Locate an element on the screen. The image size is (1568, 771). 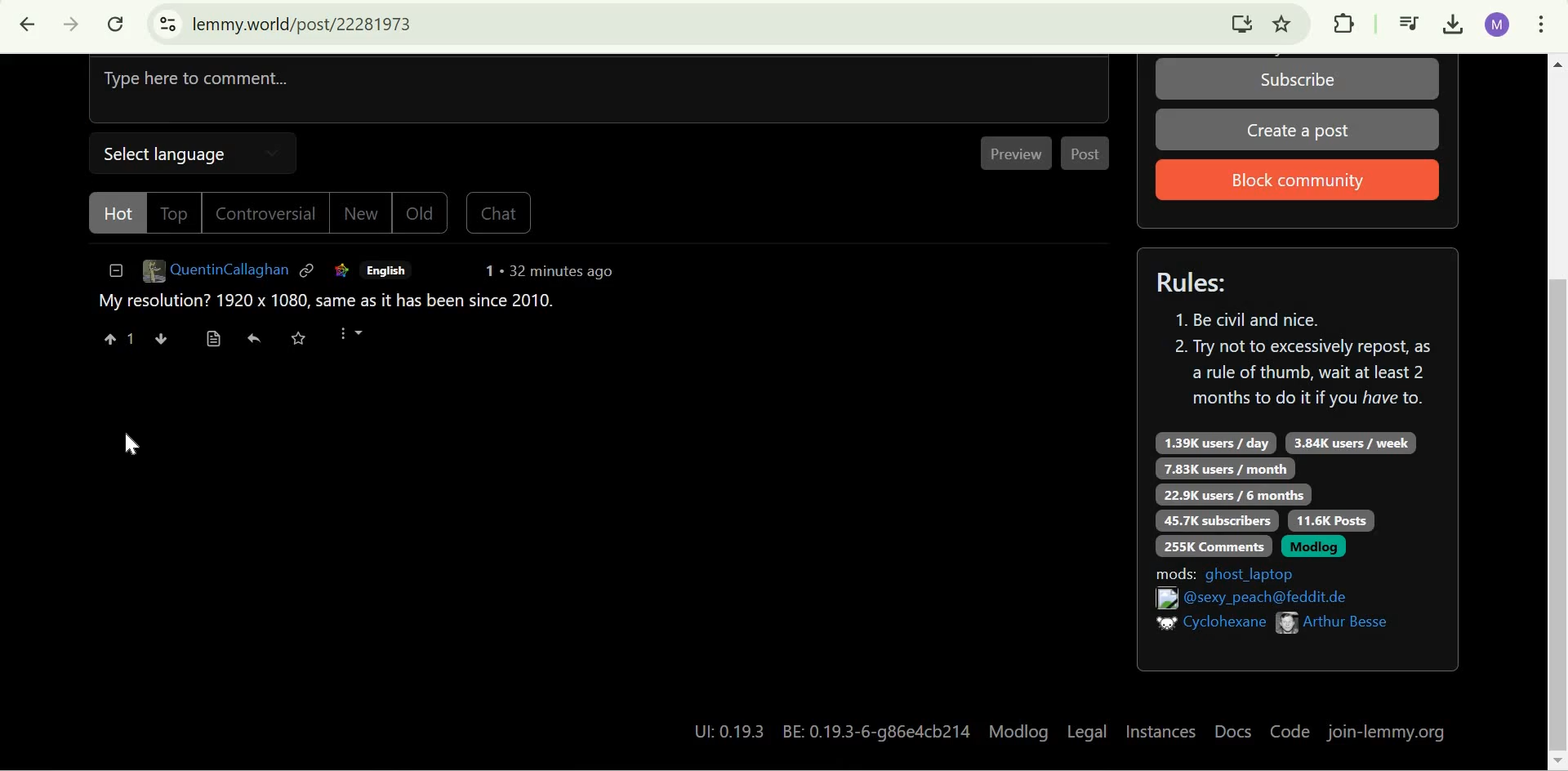
View site information is located at coordinates (167, 25).